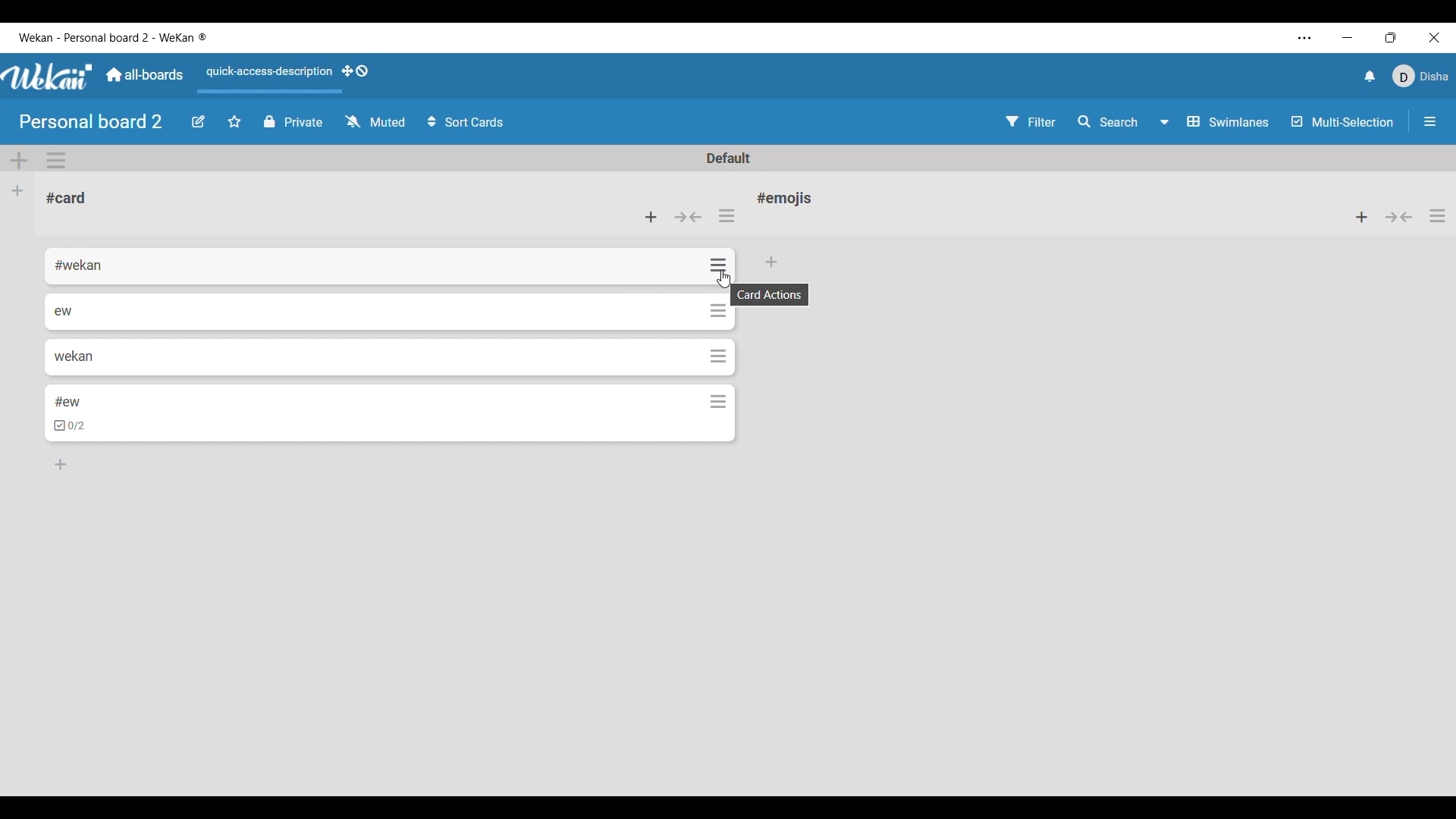 The width and height of the screenshot is (1456, 819). What do you see at coordinates (1305, 38) in the screenshot?
I see `Settings and more` at bounding box center [1305, 38].